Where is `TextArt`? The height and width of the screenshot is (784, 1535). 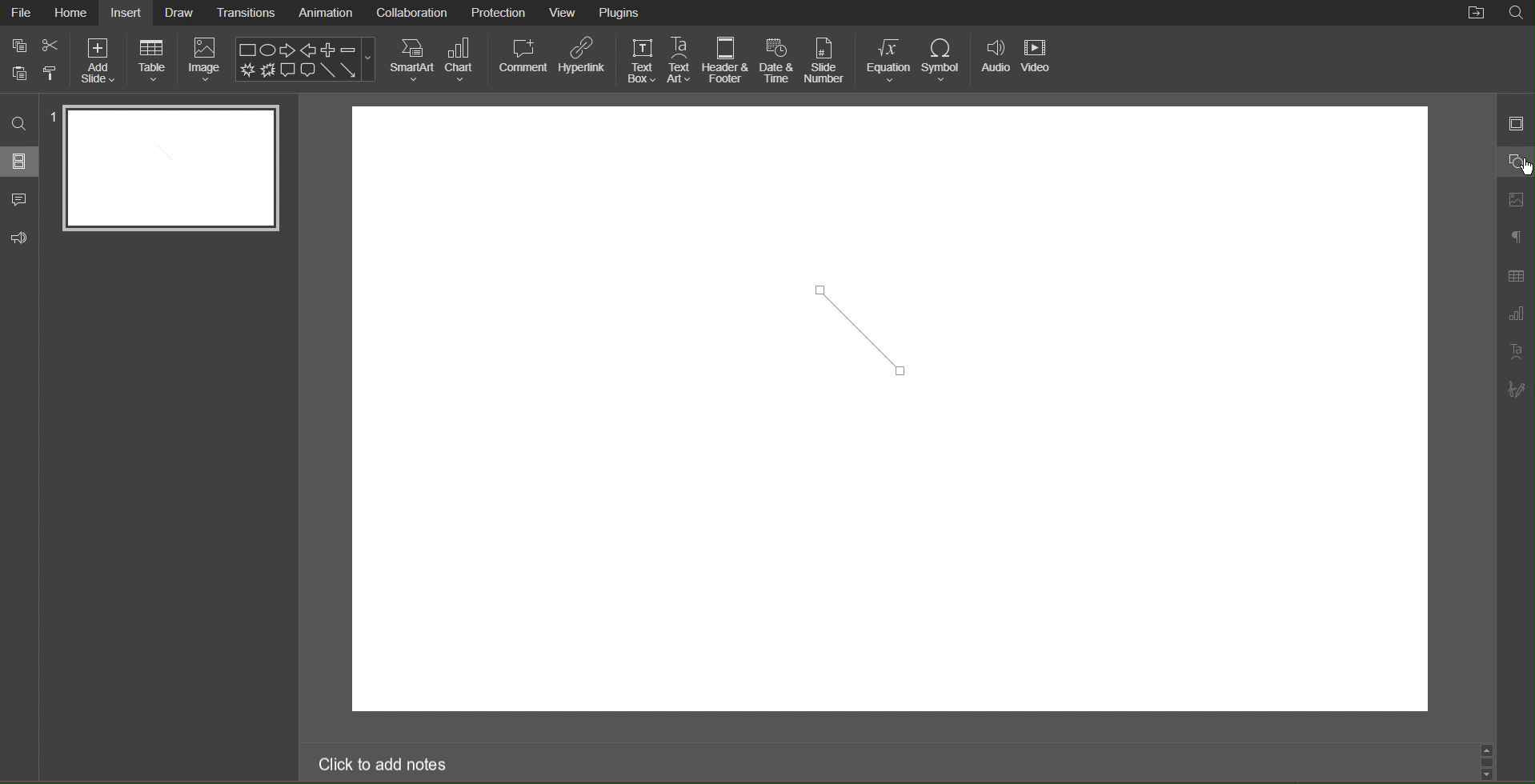
TextArt is located at coordinates (1517, 351).